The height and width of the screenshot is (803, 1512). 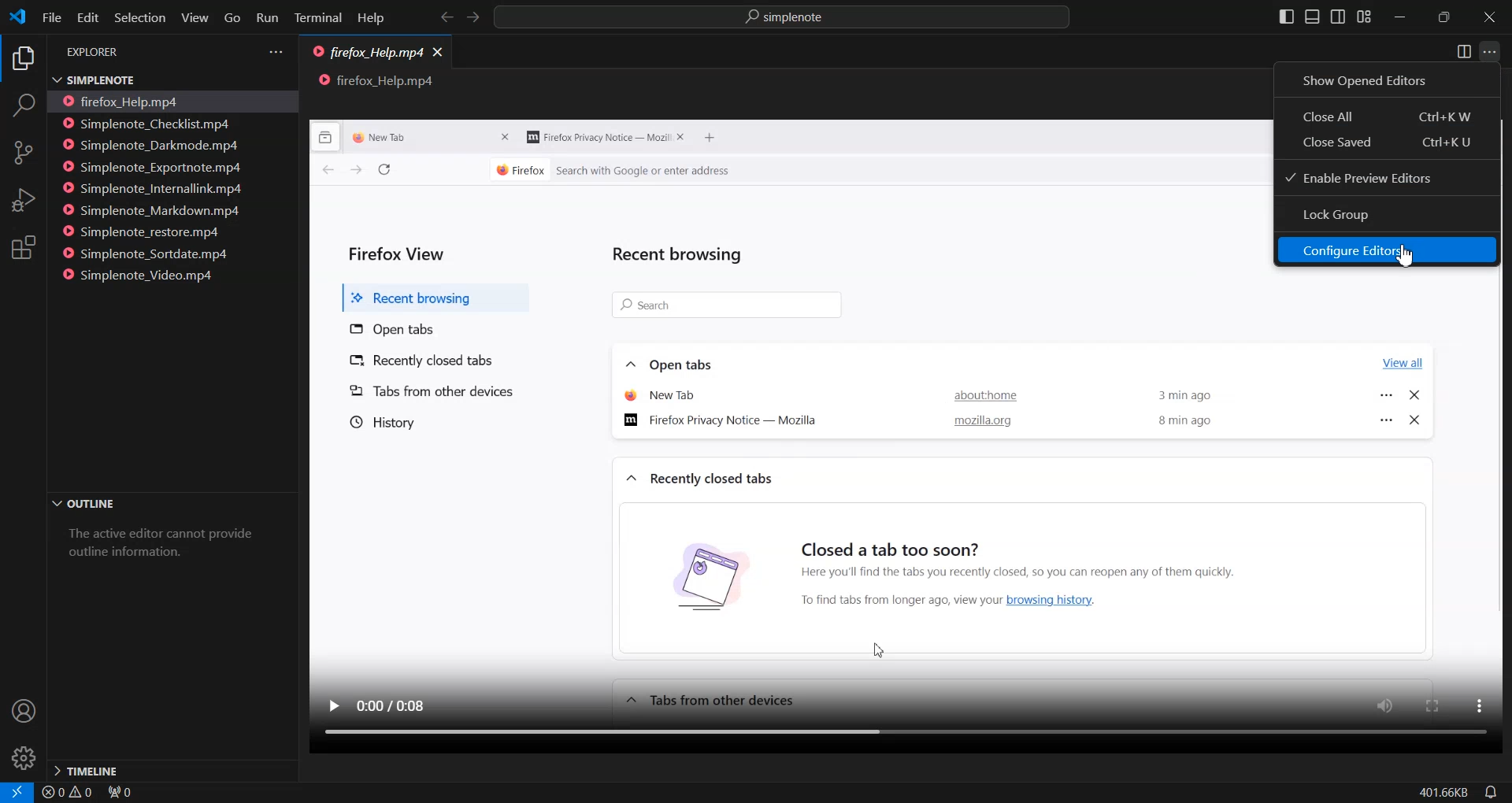 What do you see at coordinates (724, 305) in the screenshot?
I see `search` at bounding box center [724, 305].